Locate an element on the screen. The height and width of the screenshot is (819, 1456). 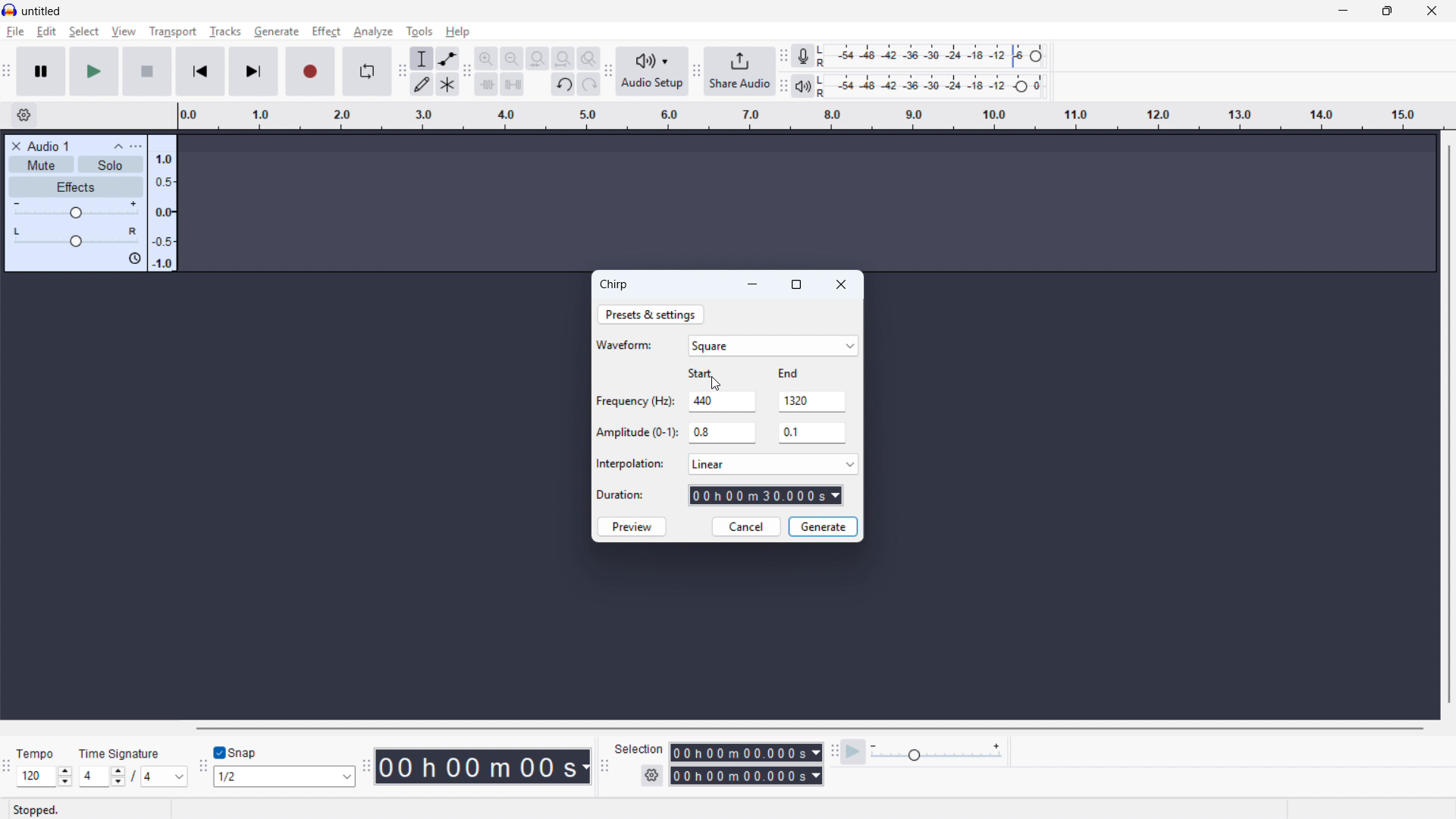
Multi - tool is located at coordinates (448, 84).